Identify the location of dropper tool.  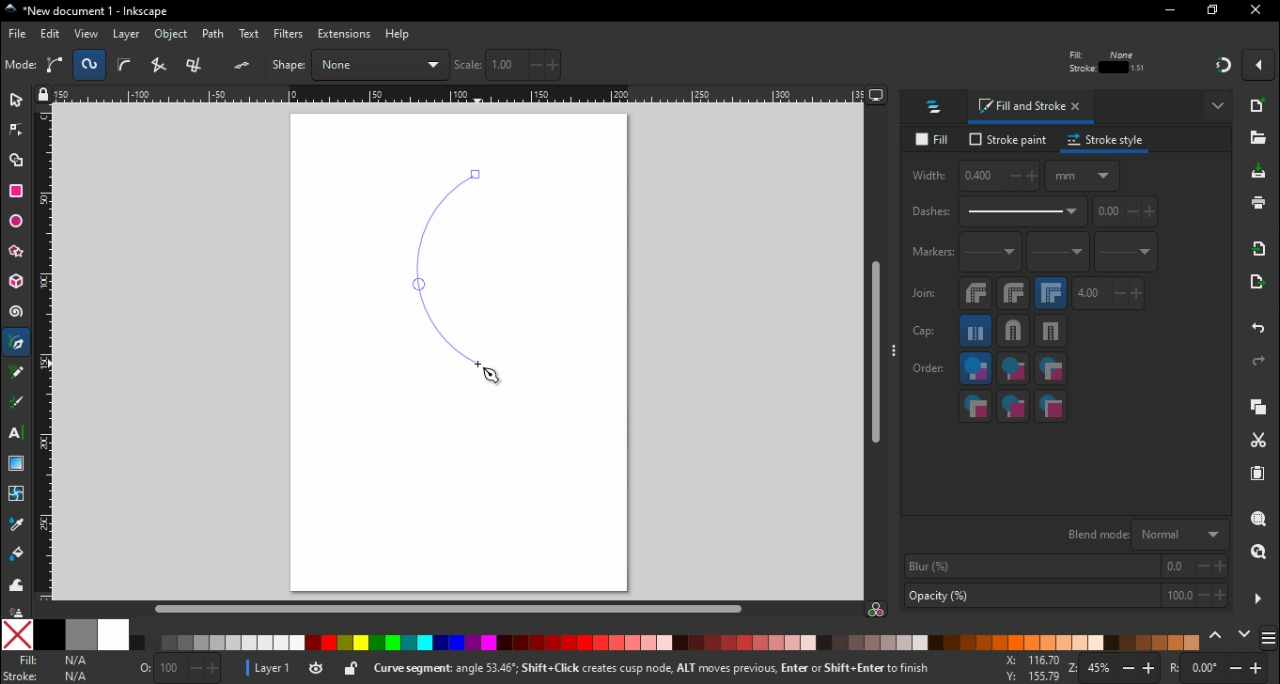
(14, 524).